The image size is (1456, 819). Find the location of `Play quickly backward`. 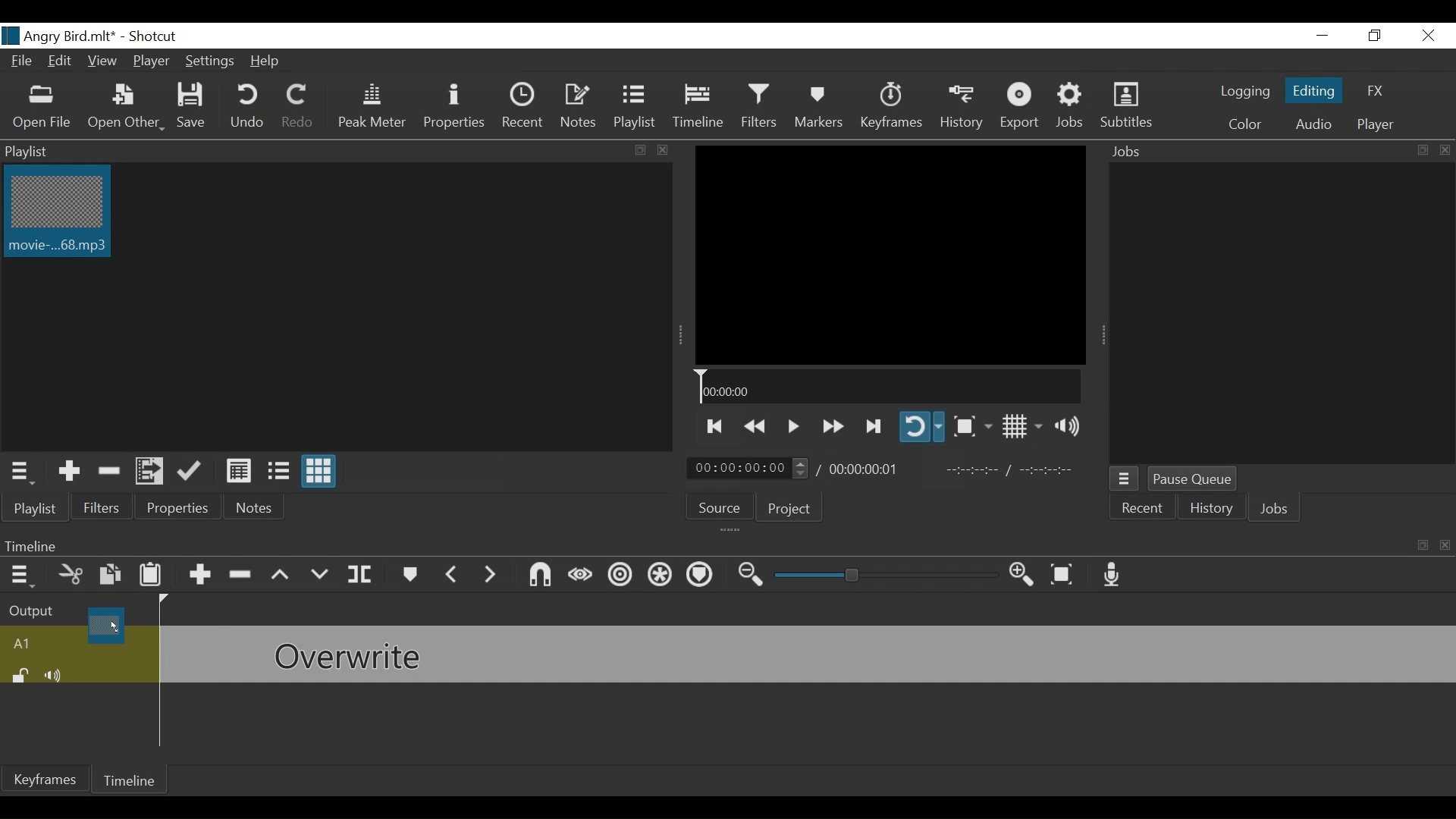

Play quickly backward is located at coordinates (754, 424).